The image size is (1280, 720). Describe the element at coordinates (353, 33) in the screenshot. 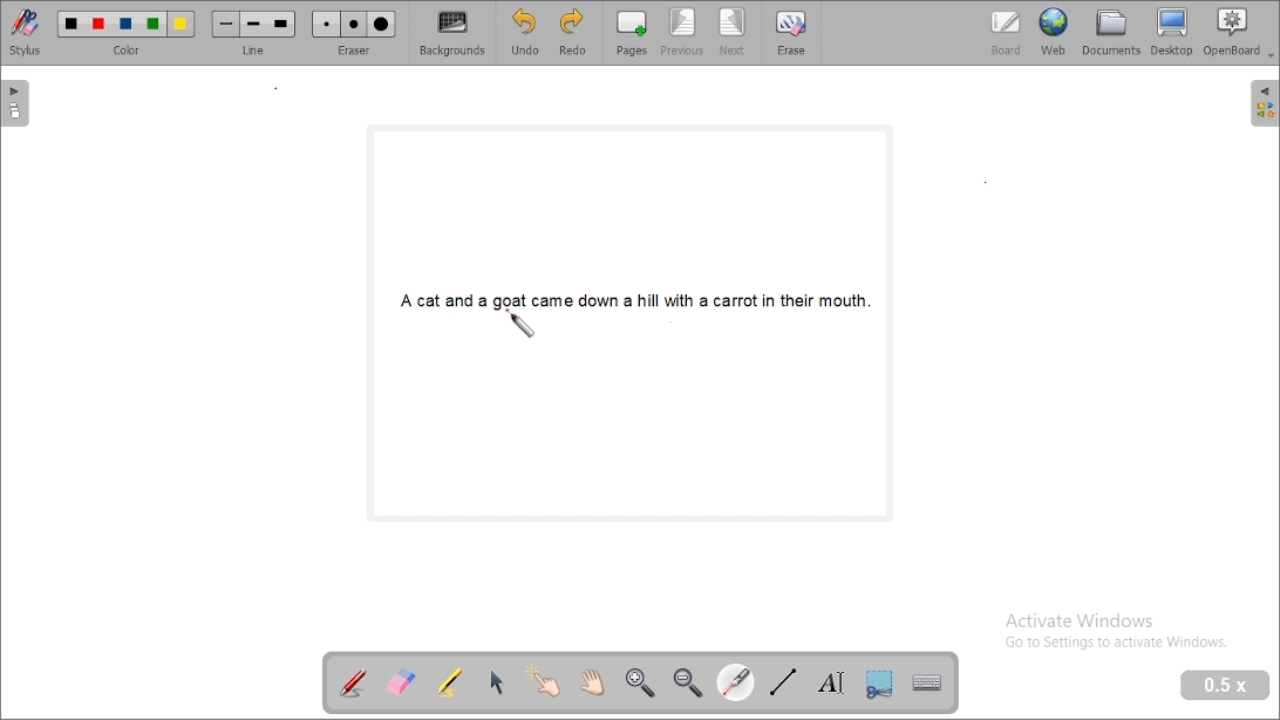

I see `eraser` at that location.